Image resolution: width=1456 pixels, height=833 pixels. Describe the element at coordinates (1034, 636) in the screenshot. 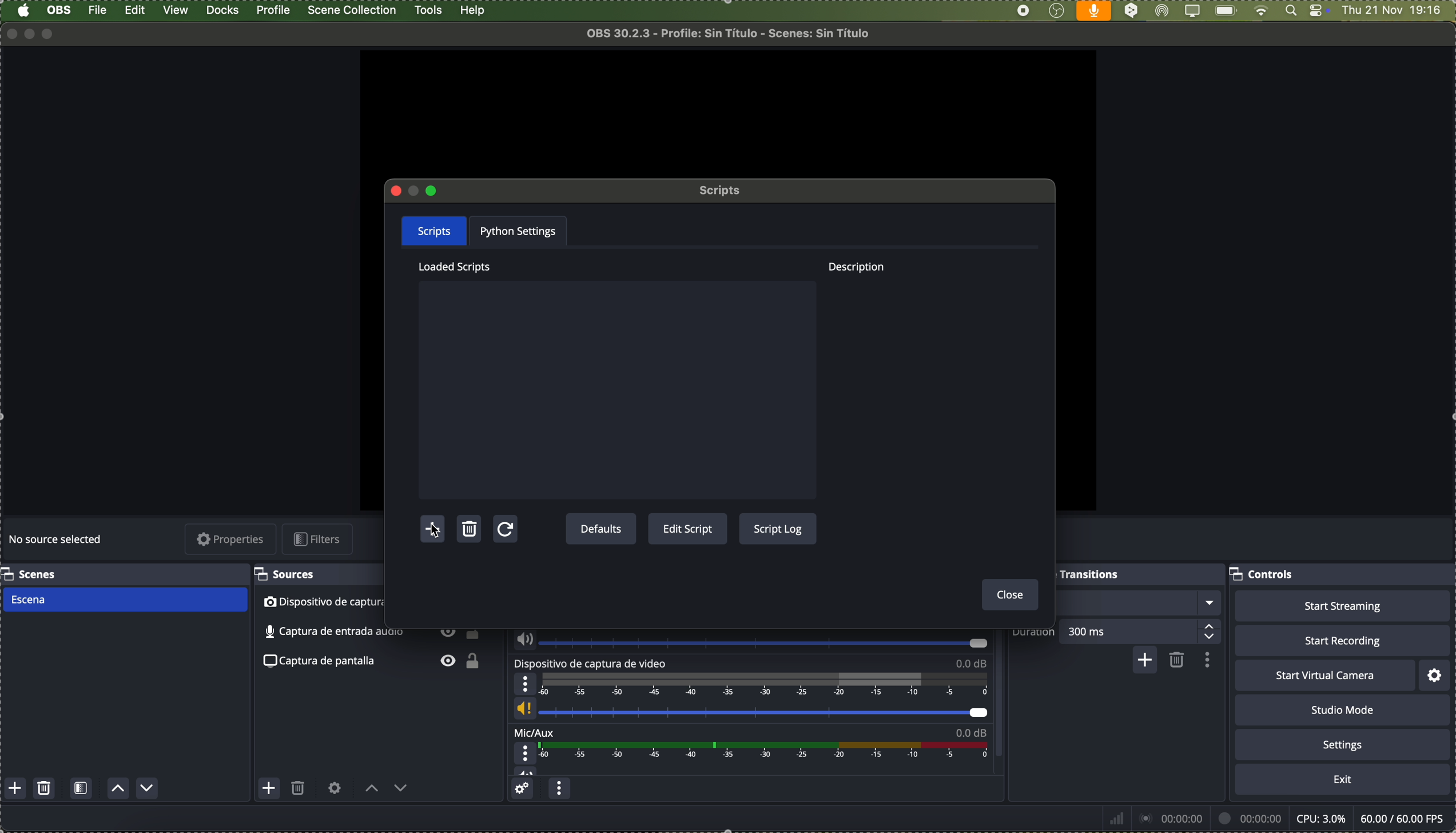

I see `duration` at that location.